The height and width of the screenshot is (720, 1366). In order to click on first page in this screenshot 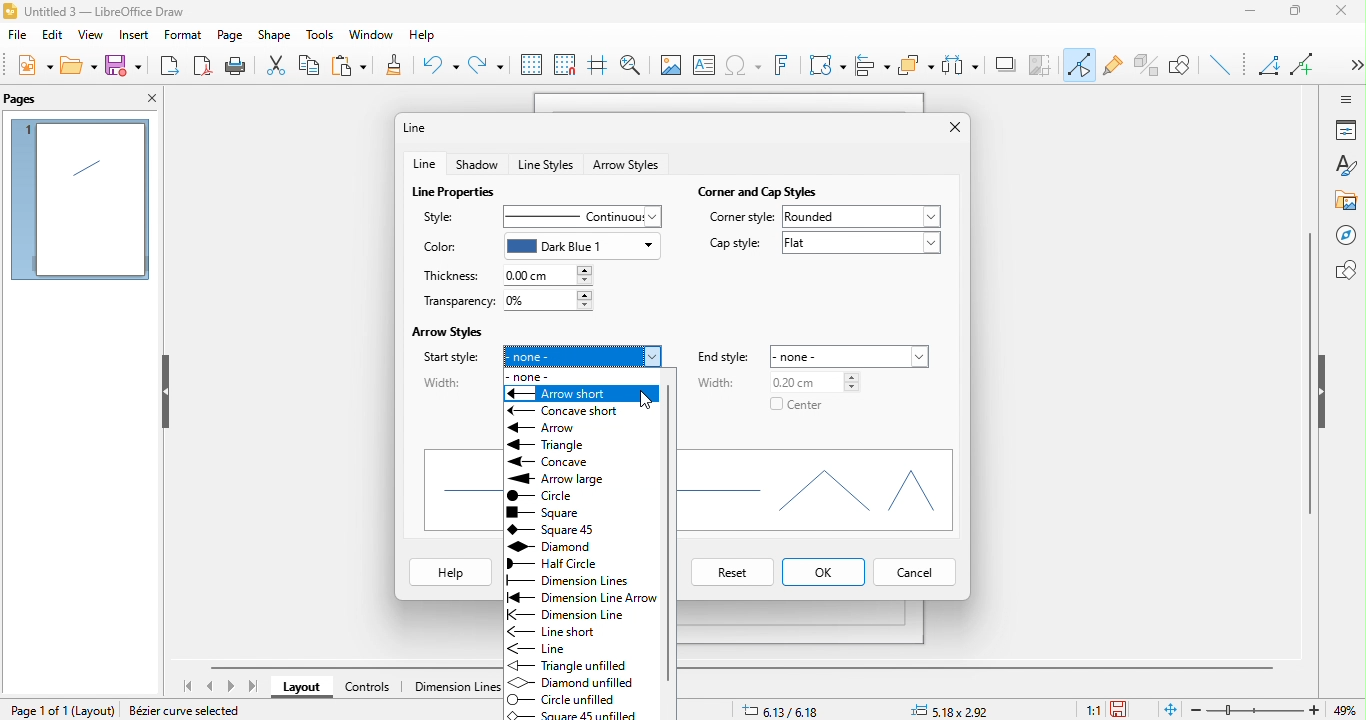, I will do `click(191, 686)`.